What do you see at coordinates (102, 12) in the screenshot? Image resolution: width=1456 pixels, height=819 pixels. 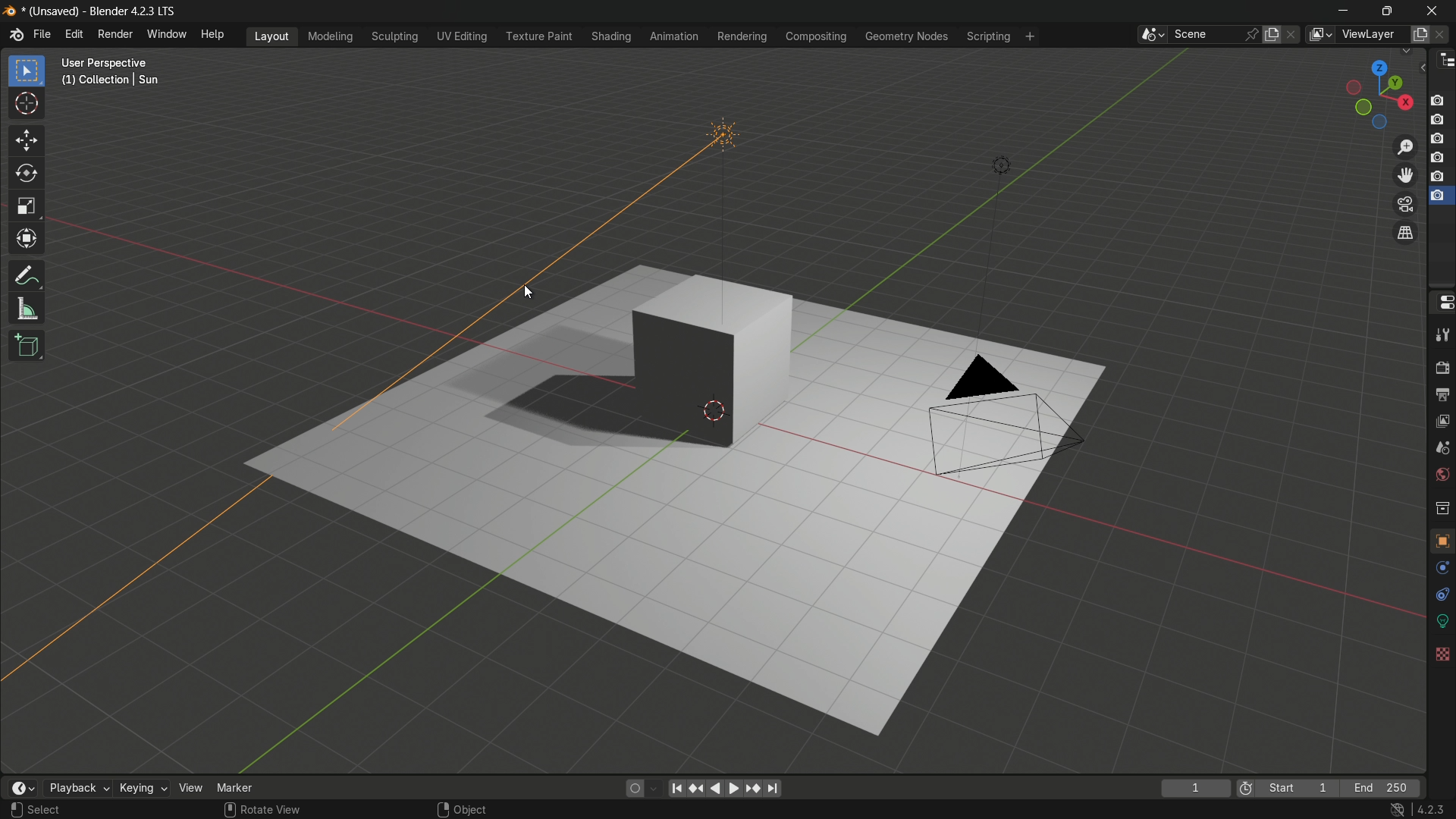 I see `* (Unsaved) - Blender 4.2.3 LTS` at bounding box center [102, 12].